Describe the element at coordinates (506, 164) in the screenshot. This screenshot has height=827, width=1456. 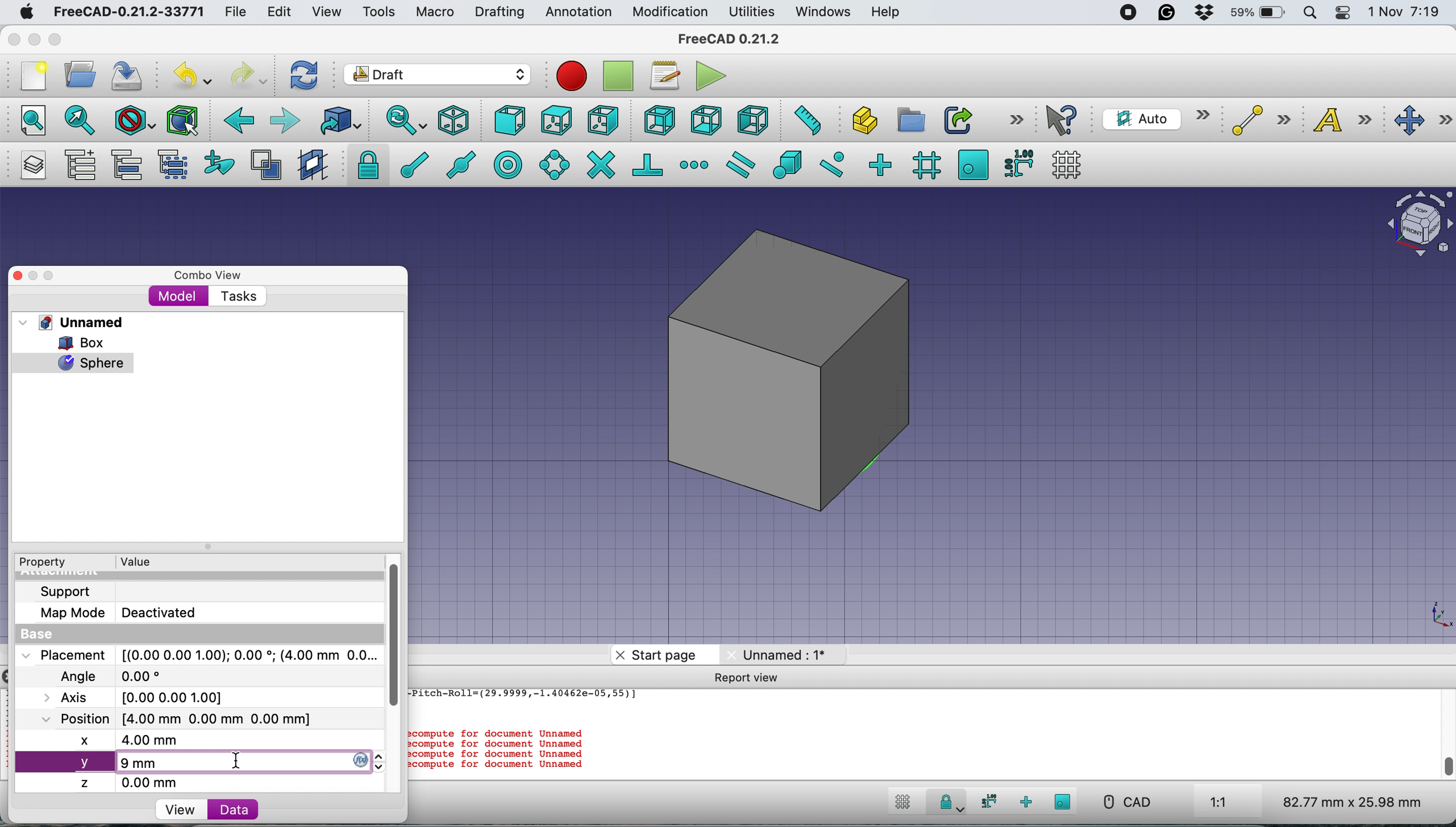
I see `snap center` at that location.